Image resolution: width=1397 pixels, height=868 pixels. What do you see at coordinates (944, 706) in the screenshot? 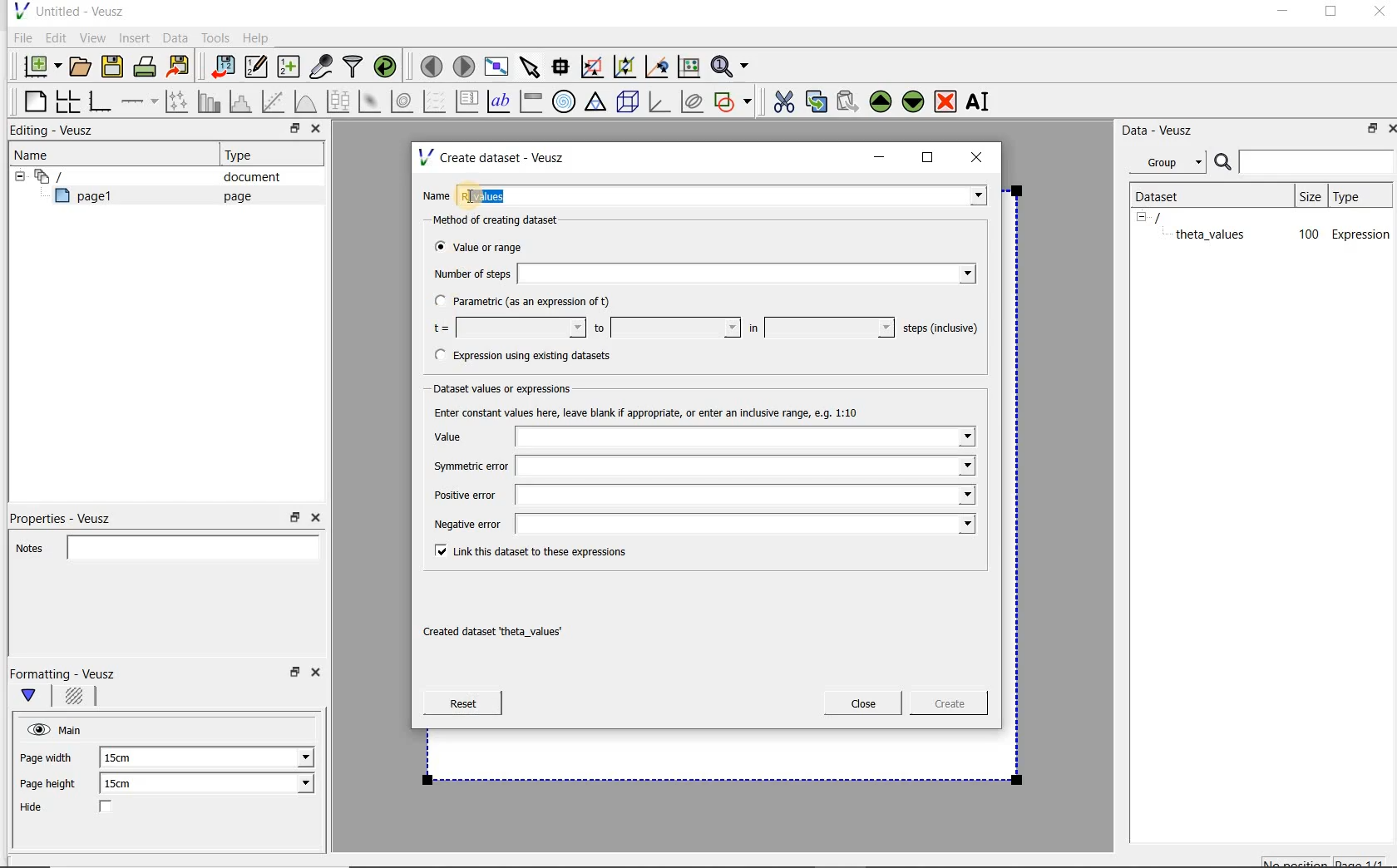
I see `Create` at bounding box center [944, 706].